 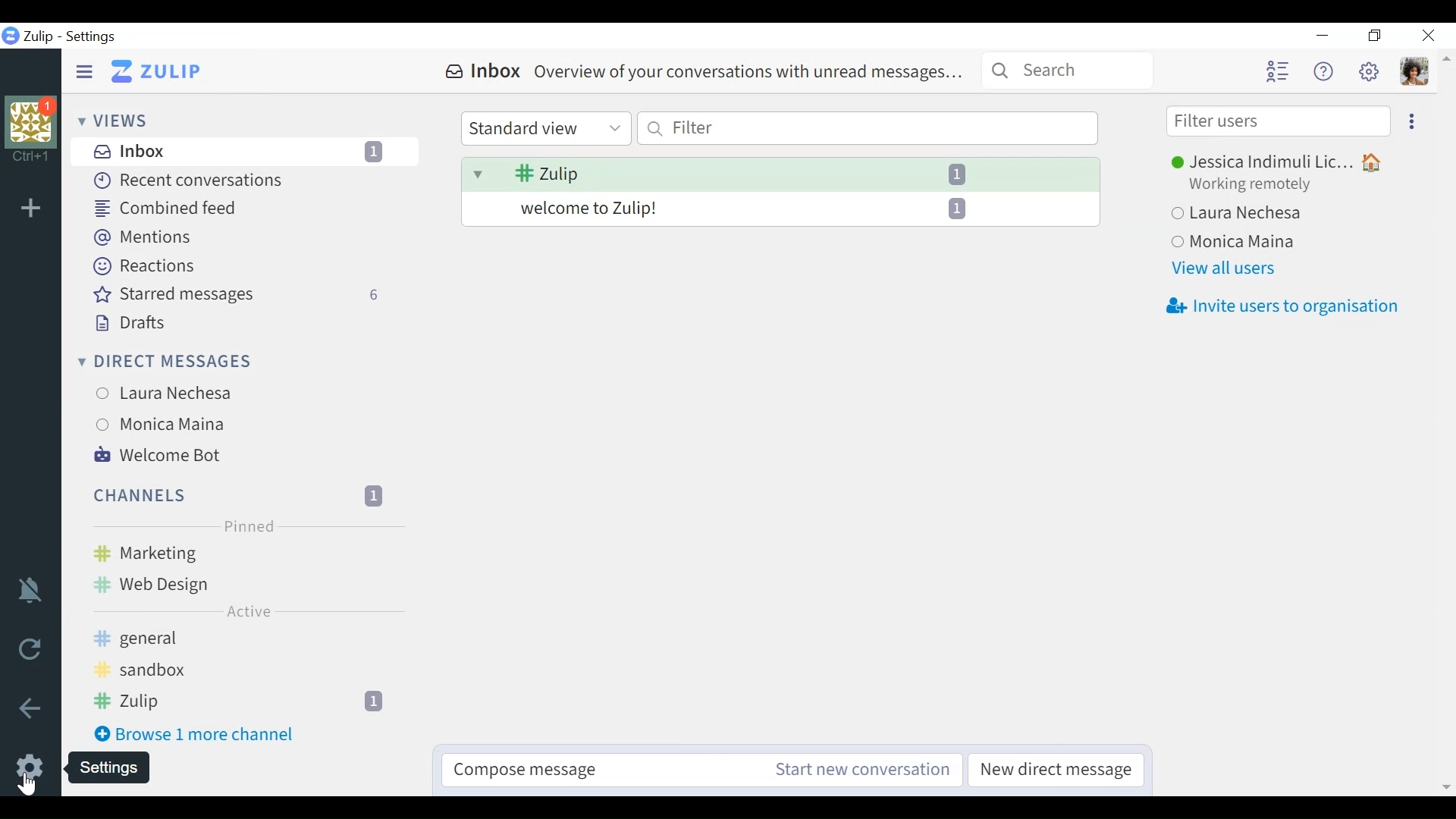 I want to click on Go Back, so click(x=30, y=709).